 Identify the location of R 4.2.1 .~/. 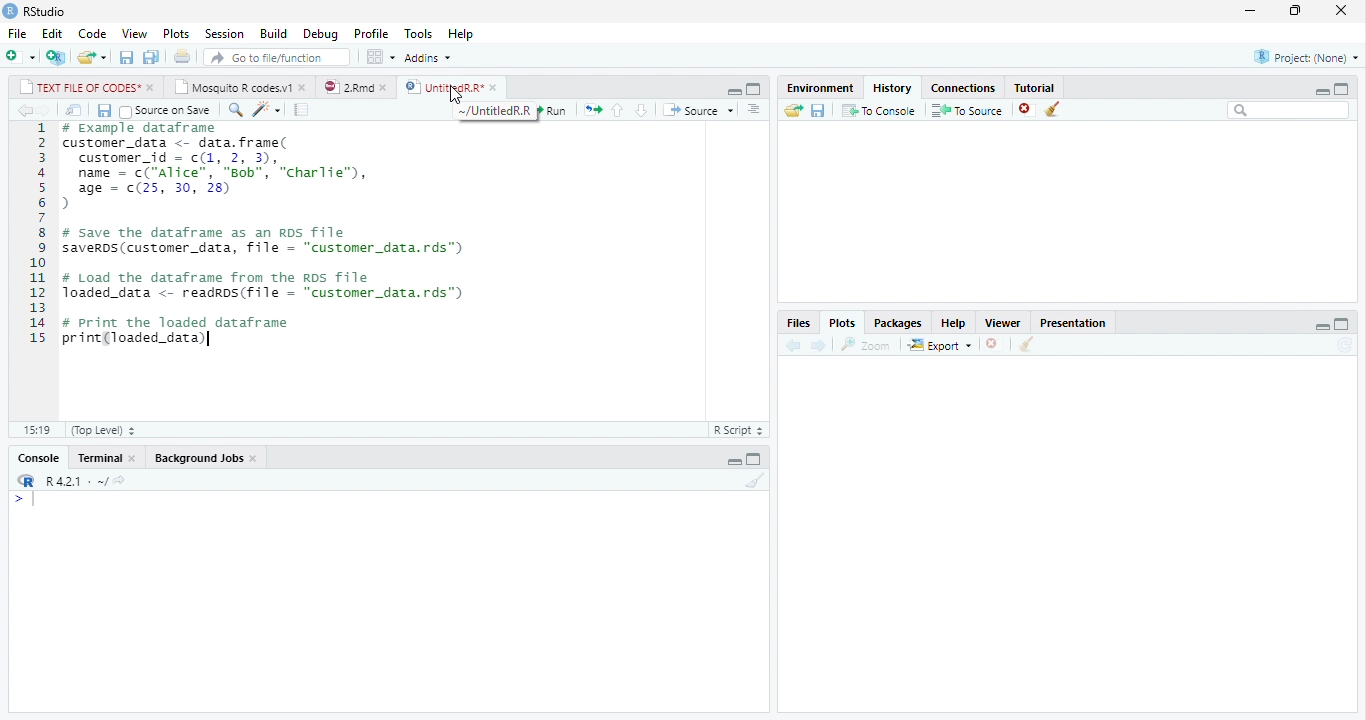
(73, 479).